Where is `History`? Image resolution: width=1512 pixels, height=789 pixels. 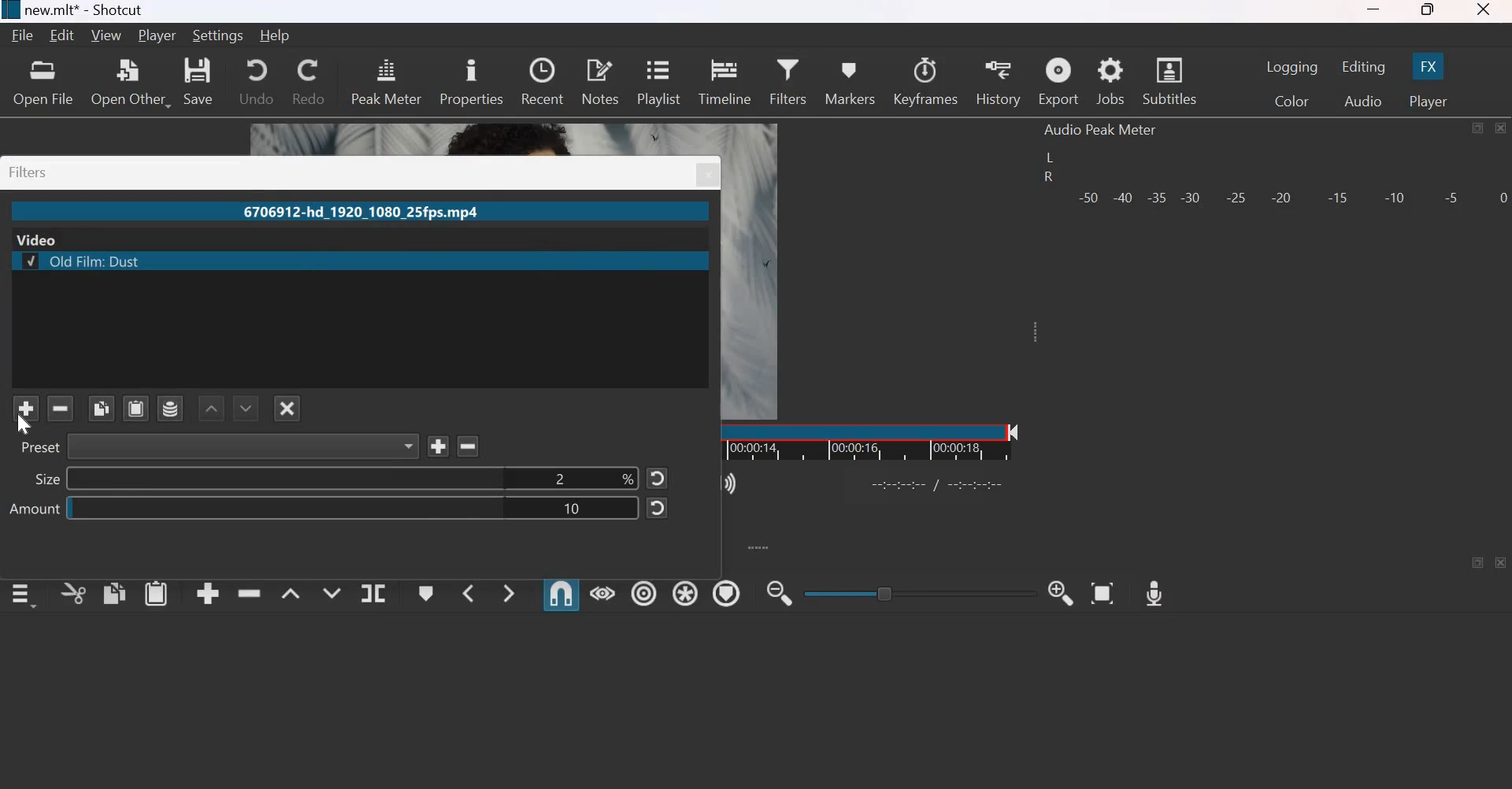 History is located at coordinates (999, 82).